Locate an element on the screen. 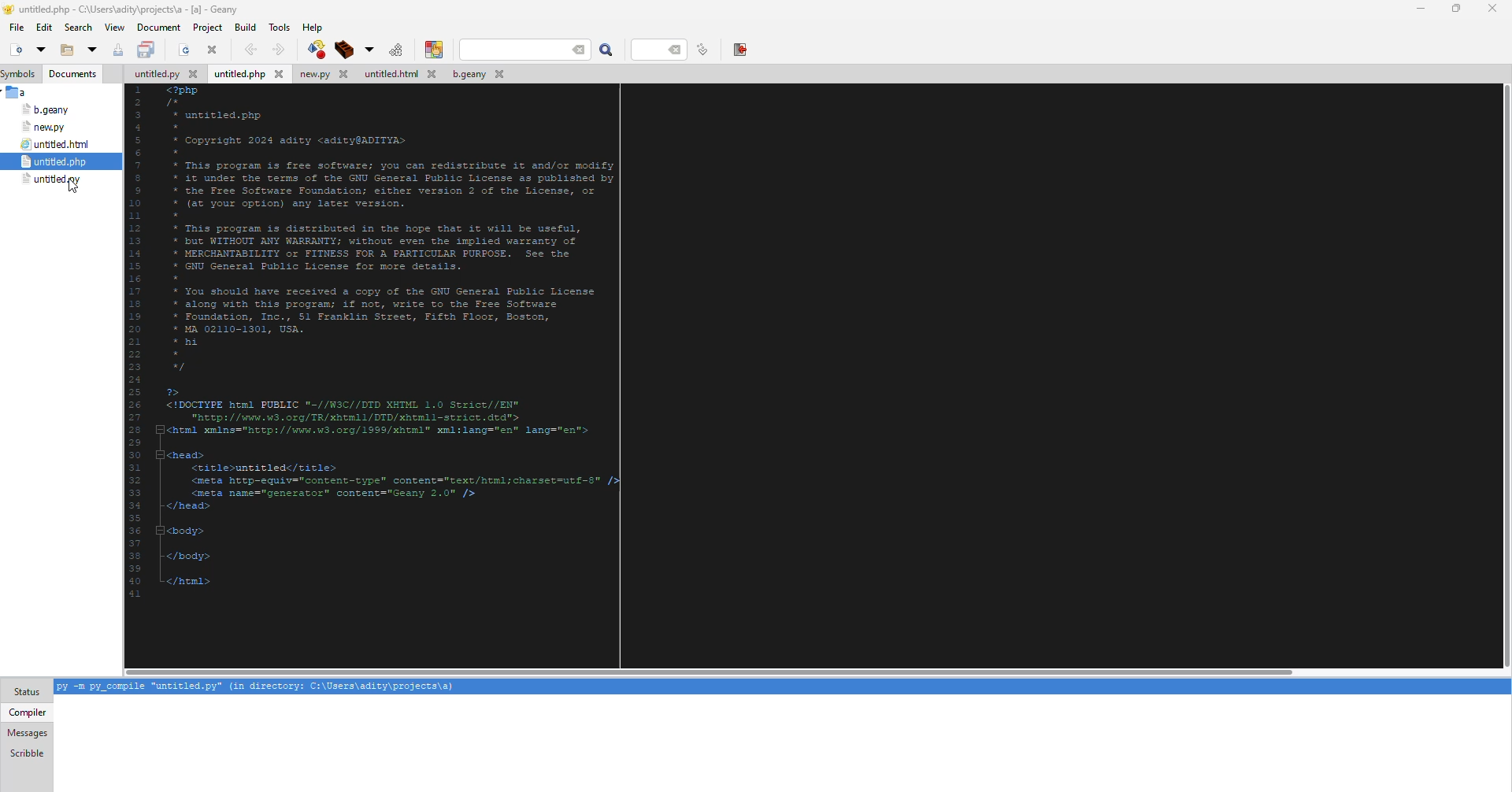 This screenshot has width=1512, height=792. edit is located at coordinates (44, 29).